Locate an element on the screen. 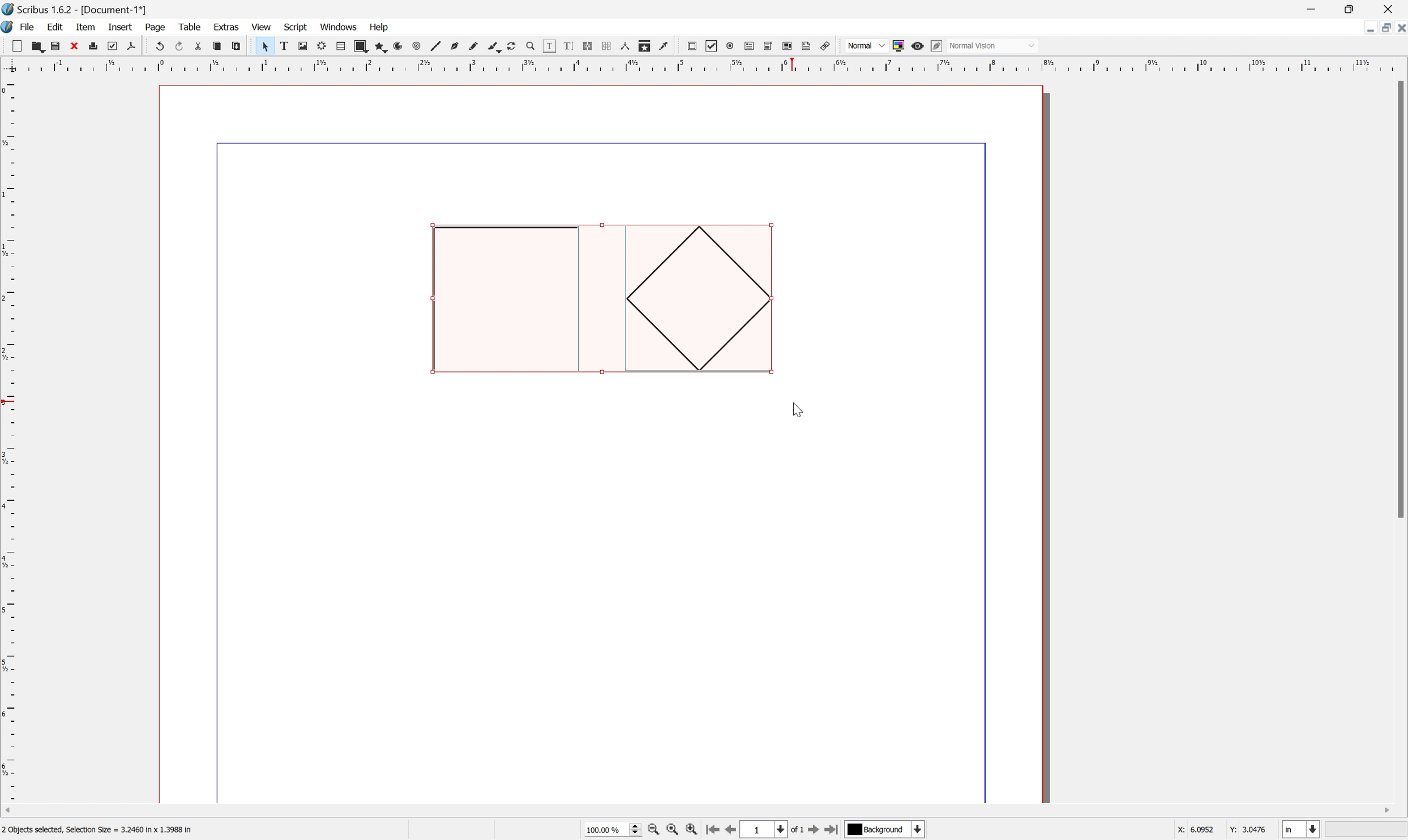 This screenshot has width=1408, height=840. Minimize is located at coordinates (1312, 8).